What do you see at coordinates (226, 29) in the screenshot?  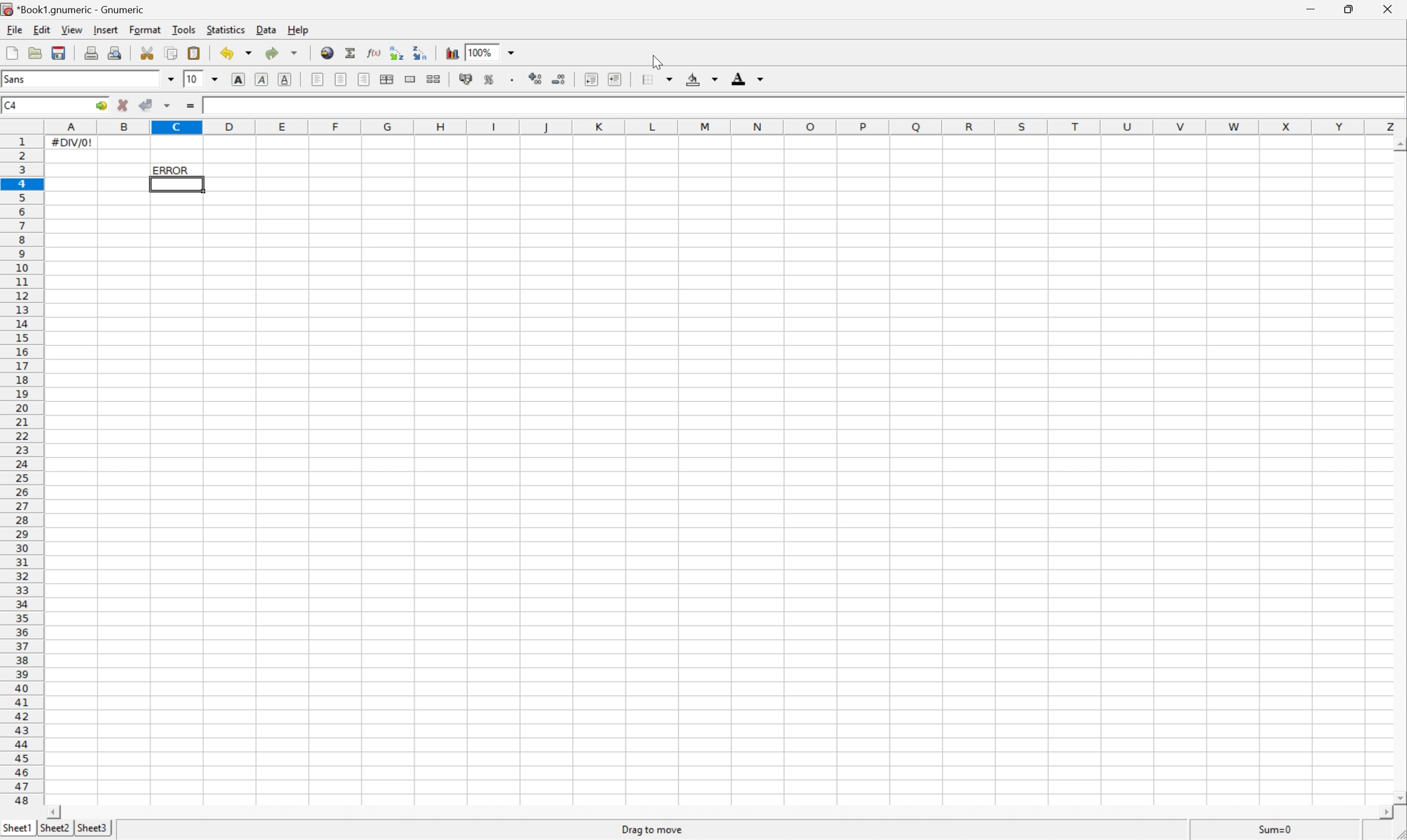 I see `Statistics` at bounding box center [226, 29].